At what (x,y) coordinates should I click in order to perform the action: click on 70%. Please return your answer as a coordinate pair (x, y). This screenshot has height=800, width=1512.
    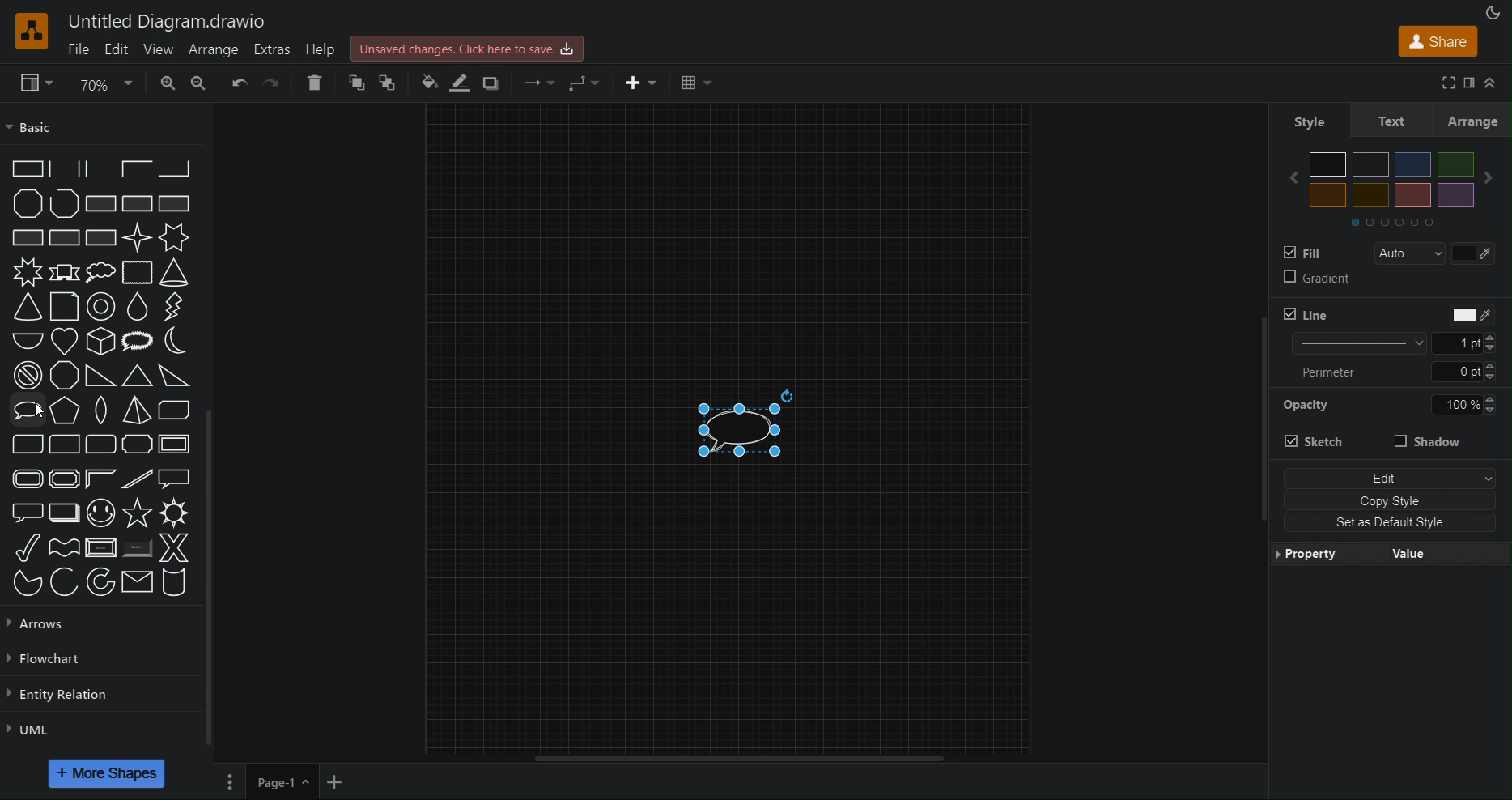
    Looking at the image, I should click on (103, 85).